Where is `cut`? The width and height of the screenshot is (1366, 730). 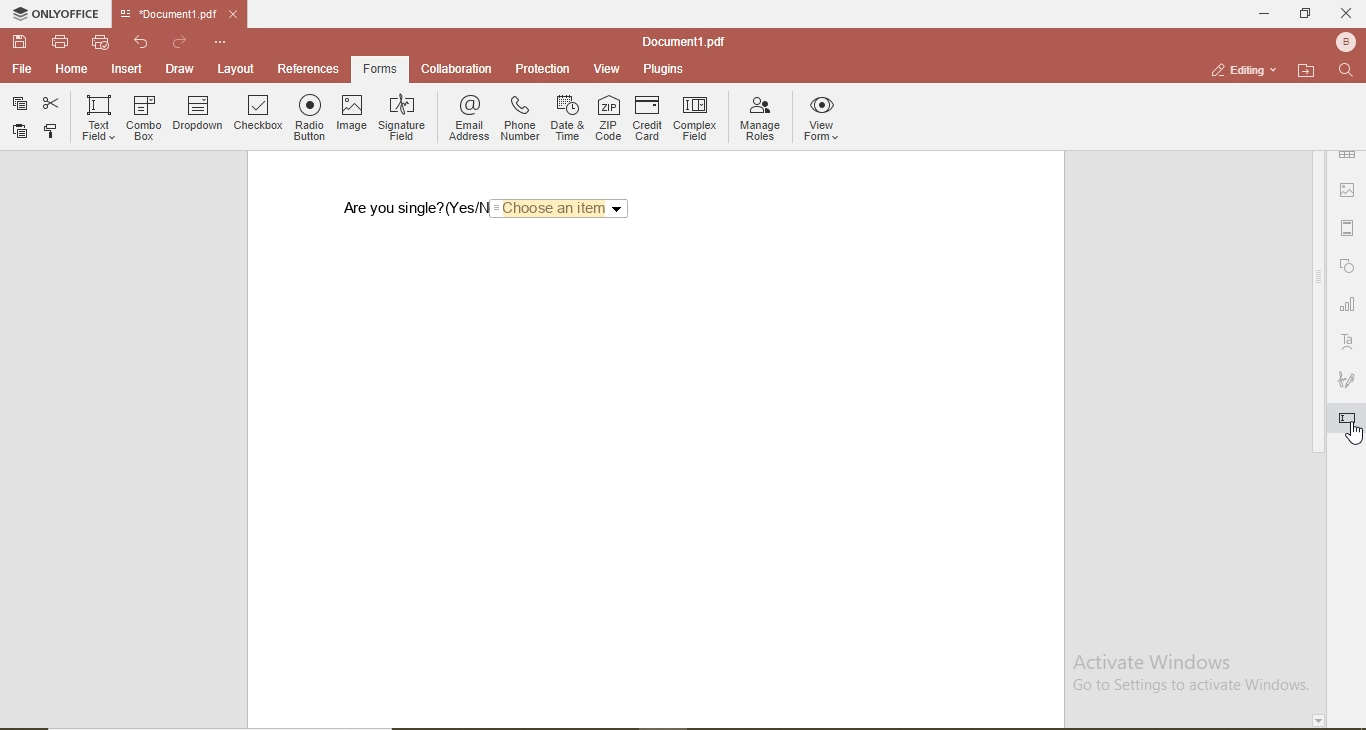
cut is located at coordinates (49, 102).